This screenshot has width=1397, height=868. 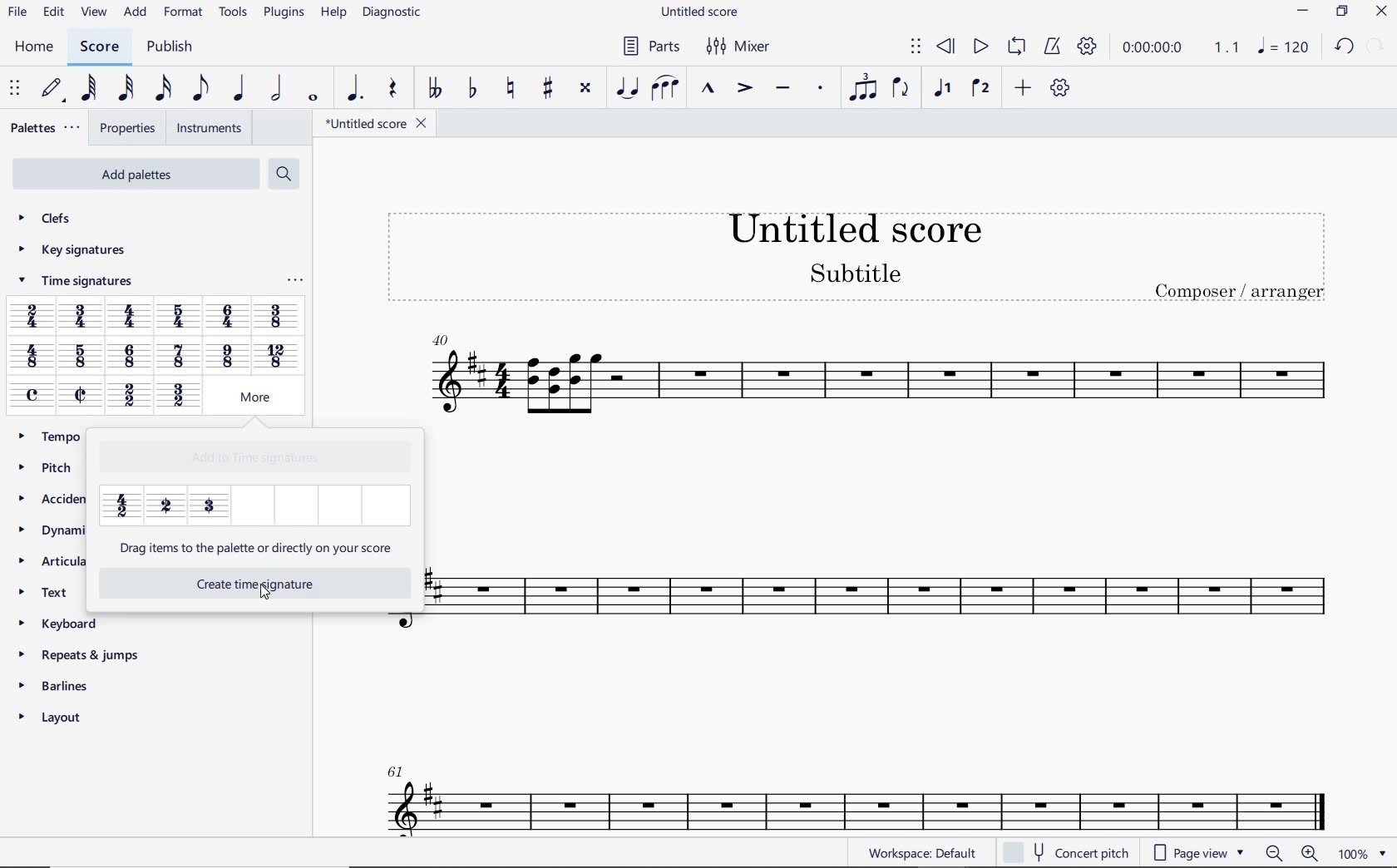 What do you see at coordinates (884, 502) in the screenshot?
I see `INSTRUMENT: TENOR SAXOPHONE` at bounding box center [884, 502].